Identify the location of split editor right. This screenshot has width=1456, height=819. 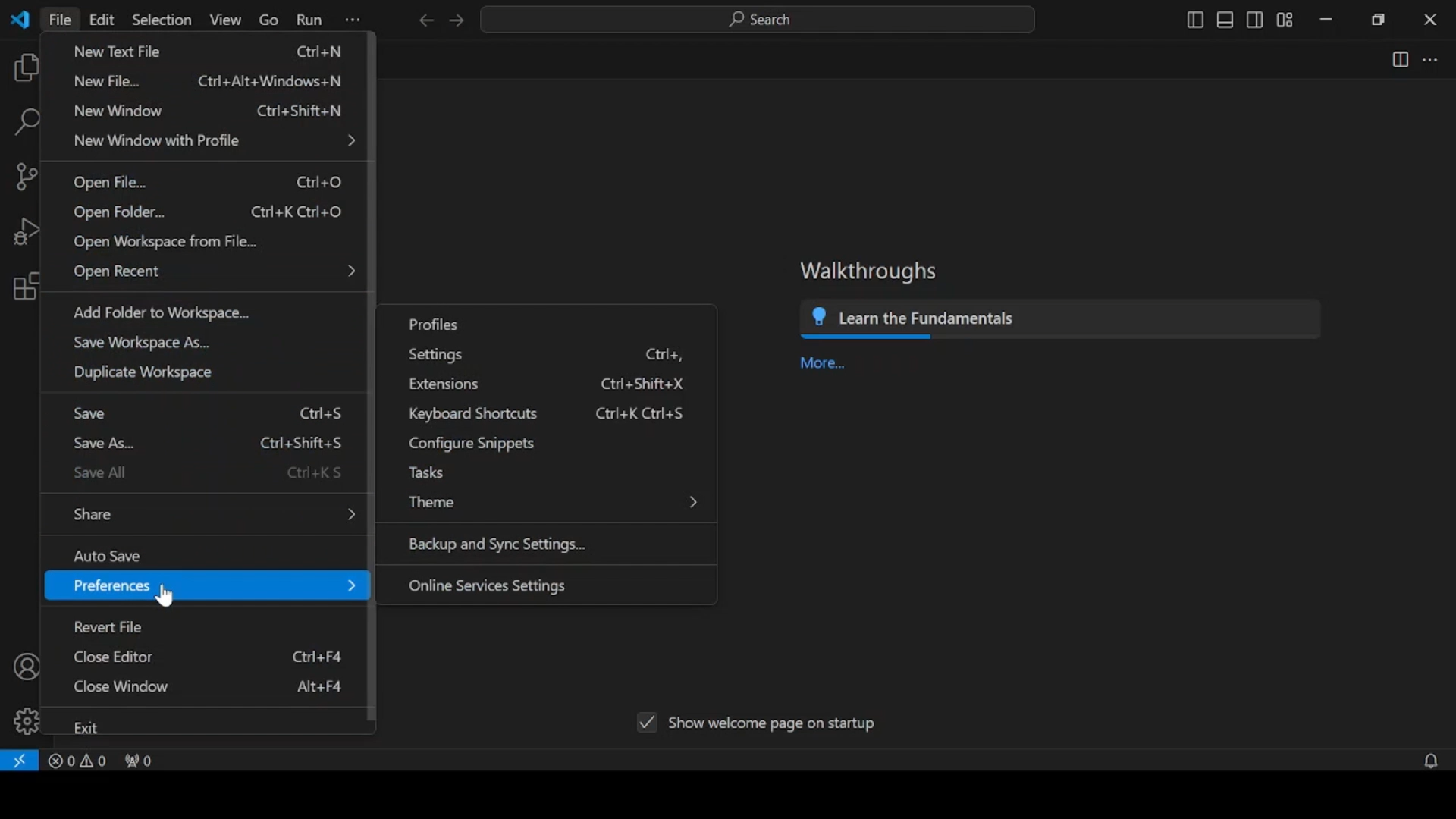
(1399, 61).